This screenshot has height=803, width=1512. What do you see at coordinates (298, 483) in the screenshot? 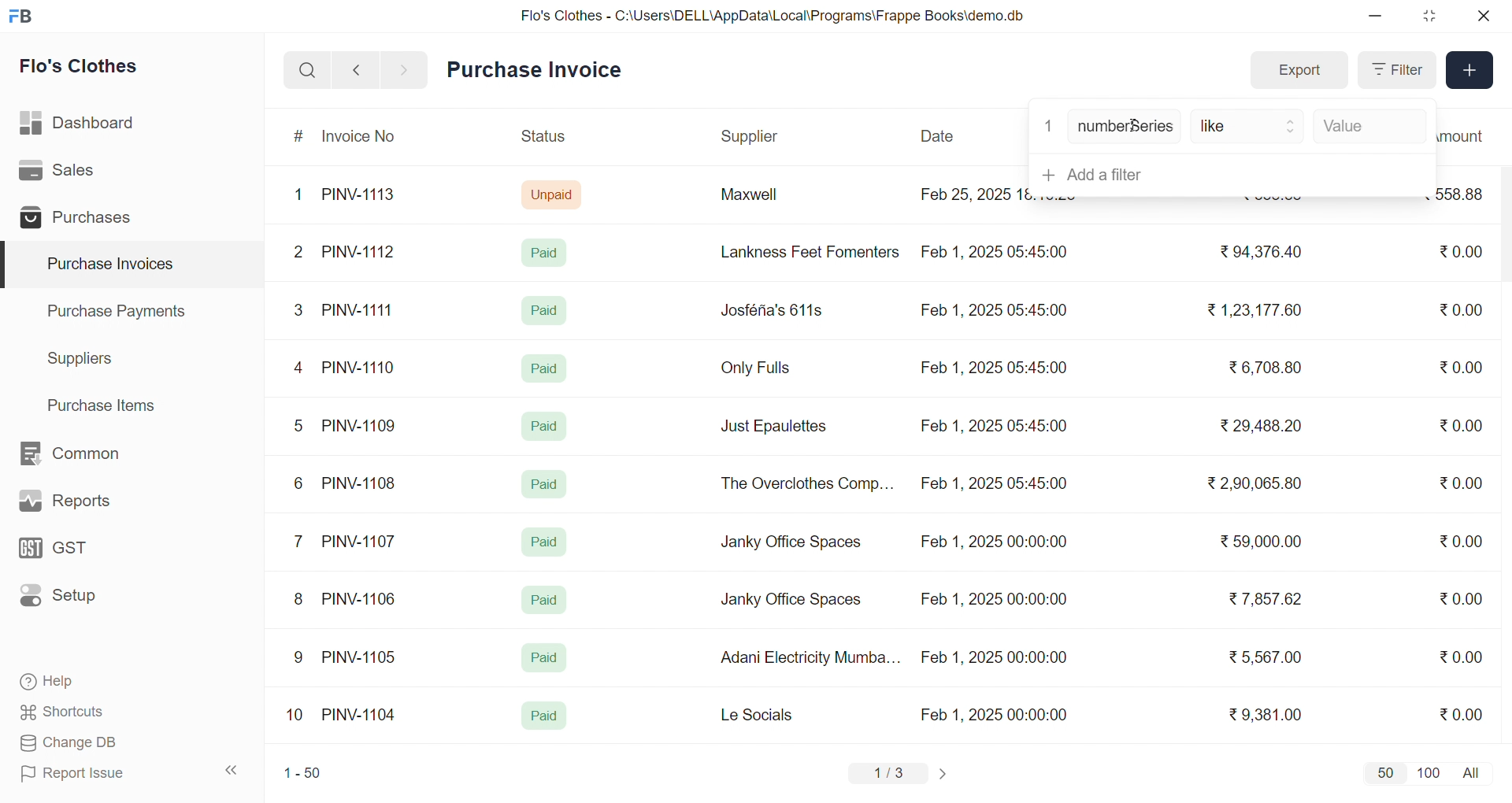
I see `6` at bounding box center [298, 483].